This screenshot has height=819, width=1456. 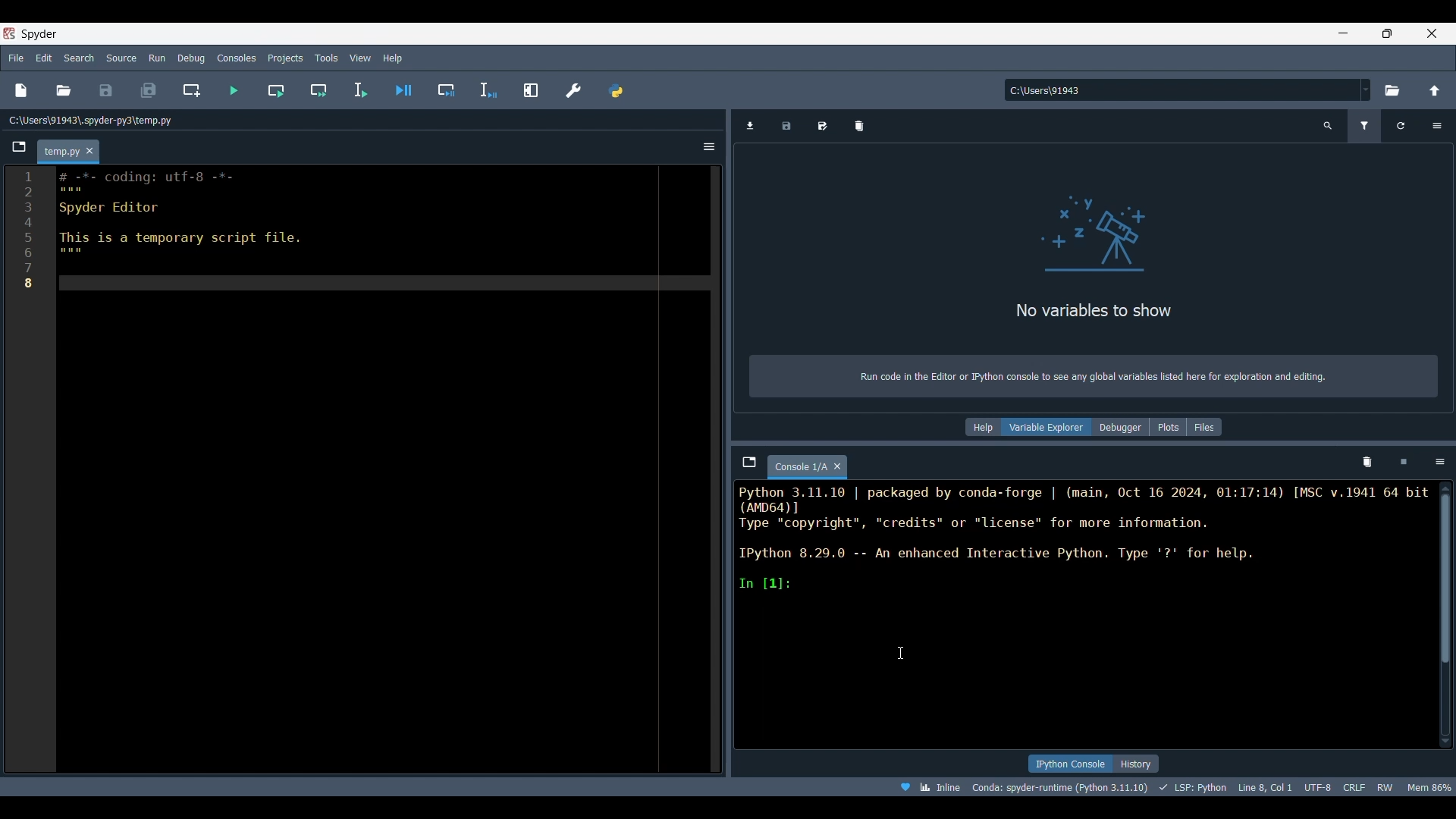 What do you see at coordinates (898, 651) in the screenshot?
I see `cursor` at bounding box center [898, 651].